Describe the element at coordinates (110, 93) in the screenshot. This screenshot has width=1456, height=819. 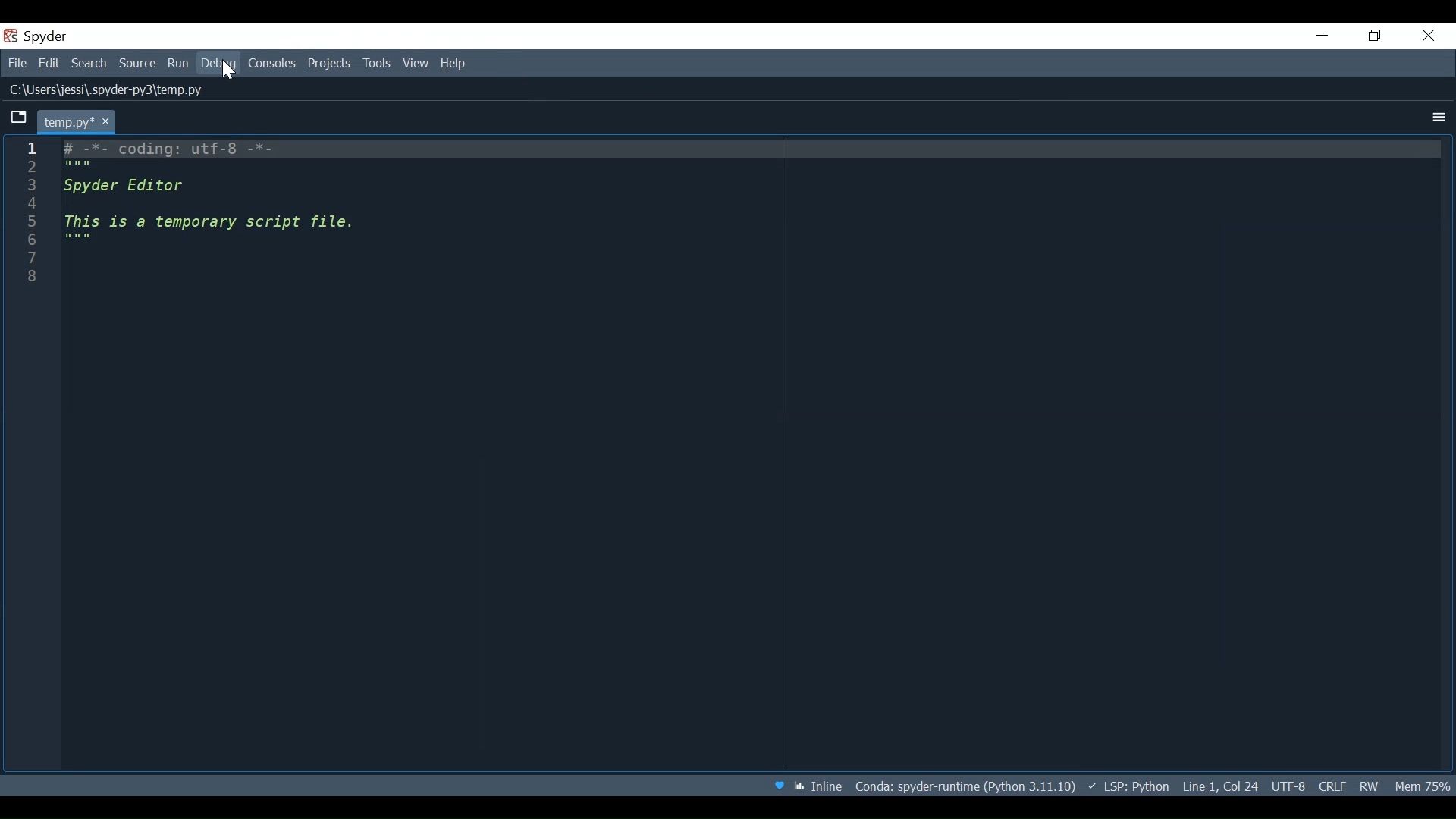
I see `LI\Users\jessi\.spyder-pys\temp.py` at that location.